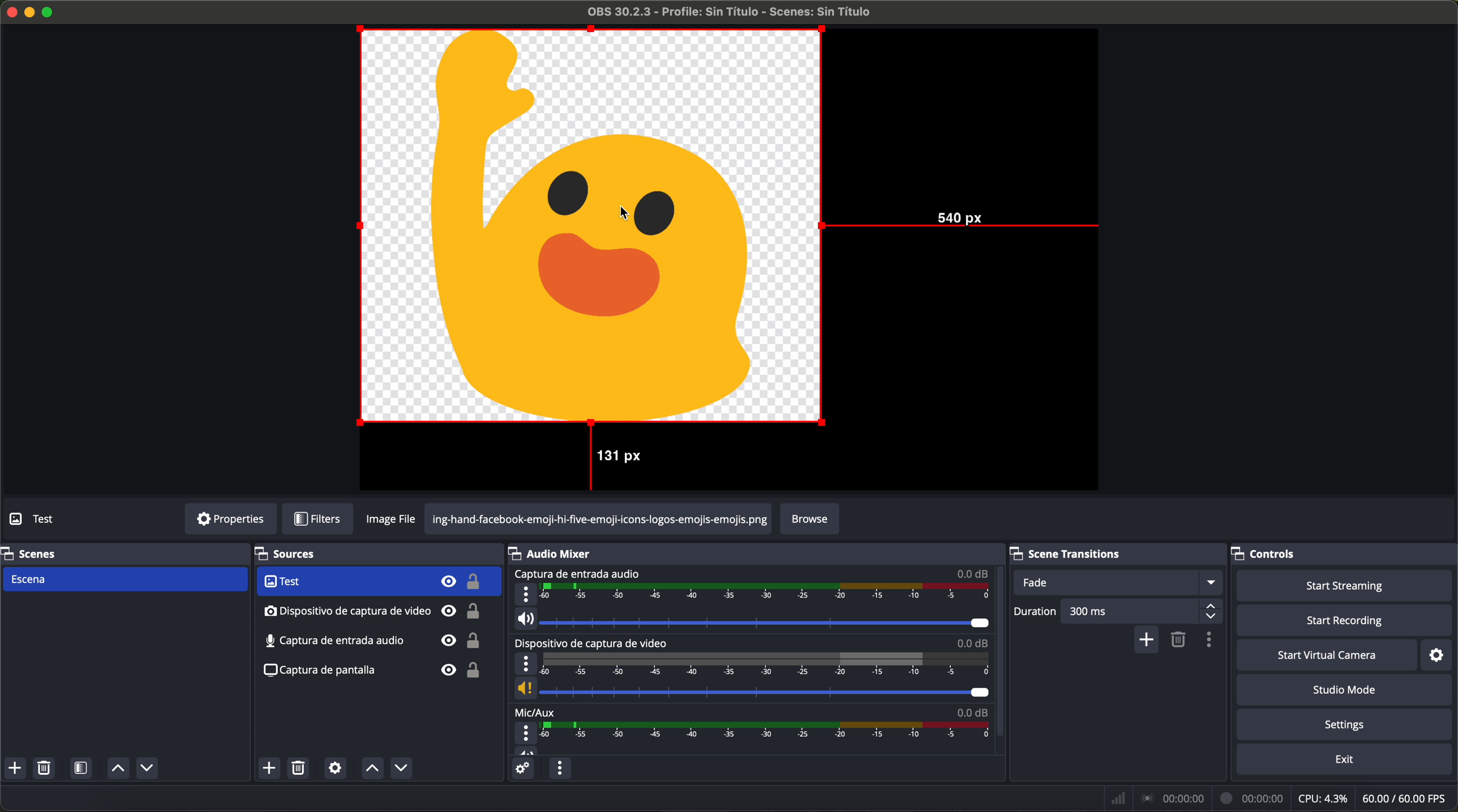 This screenshot has height=812, width=1458. What do you see at coordinates (50, 11) in the screenshot?
I see `maximize program` at bounding box center [50, 11].